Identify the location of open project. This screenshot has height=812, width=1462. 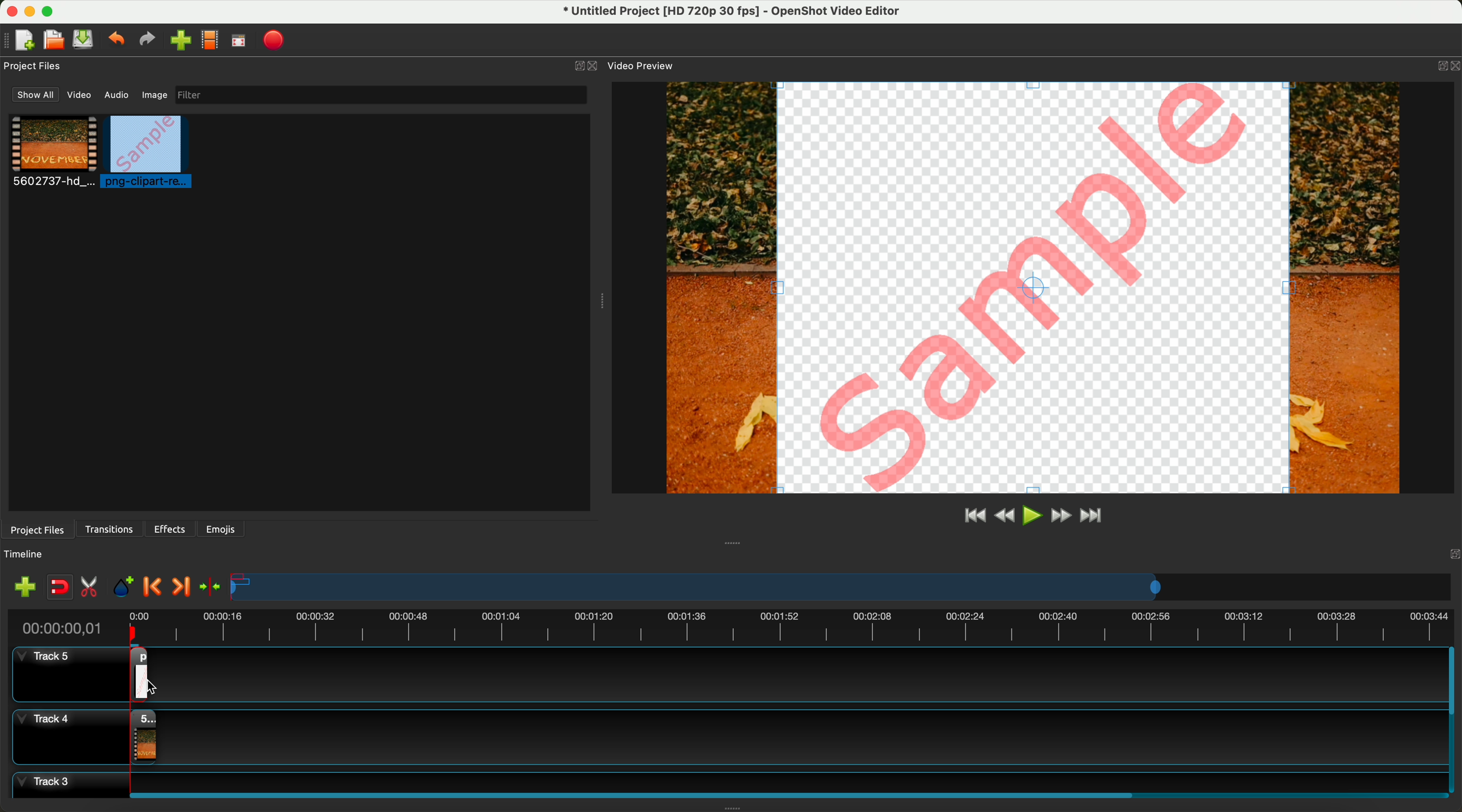
(53, 41).